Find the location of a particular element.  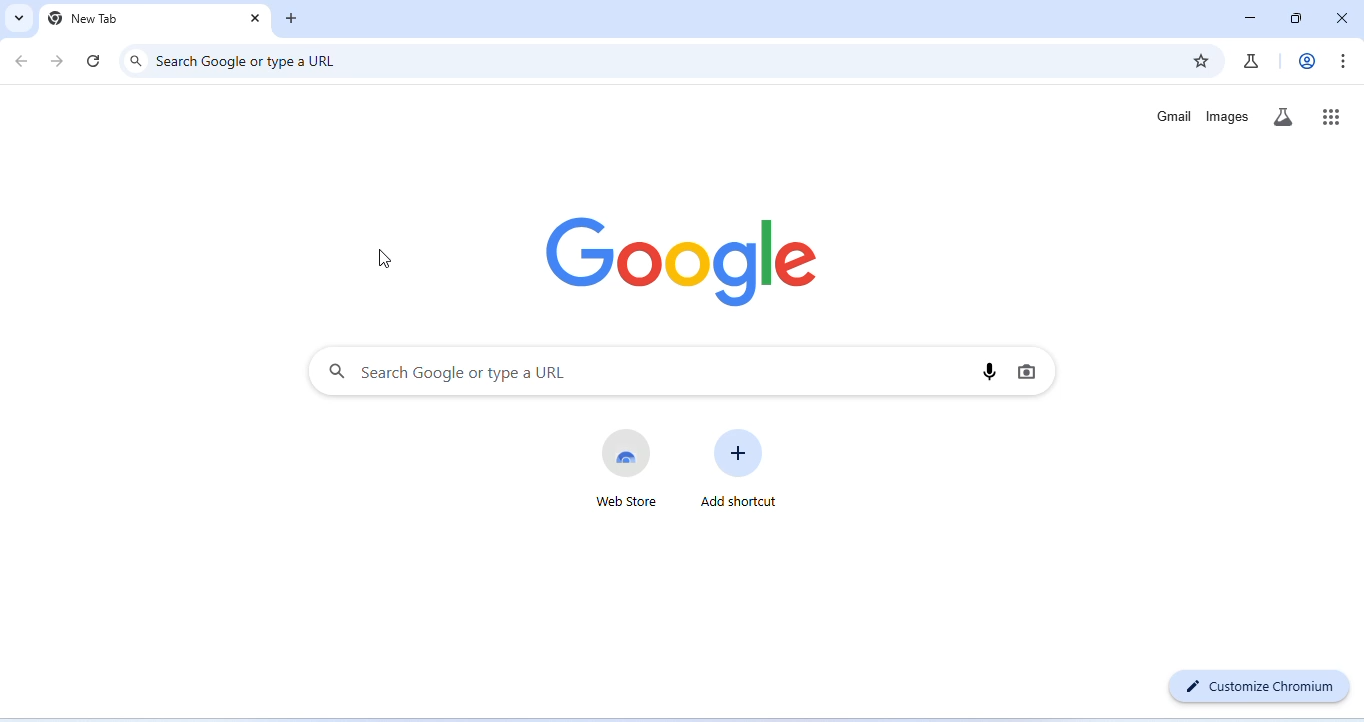

search Google or type a URL is located at coordinates (446, 371).